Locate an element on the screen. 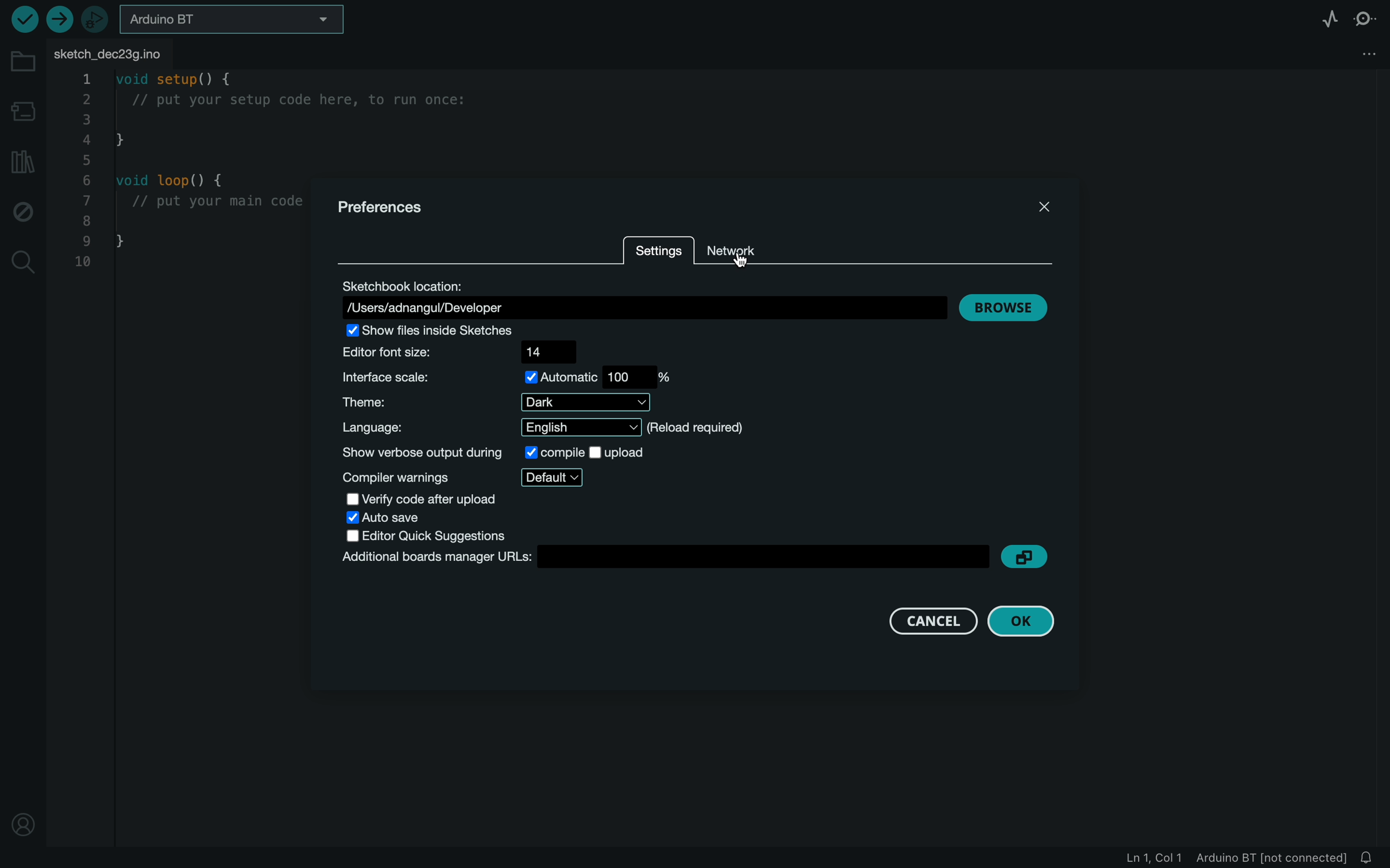 The height and width of the screenshot is (868, 1390). board selecter is located at coordinates (232, 20).